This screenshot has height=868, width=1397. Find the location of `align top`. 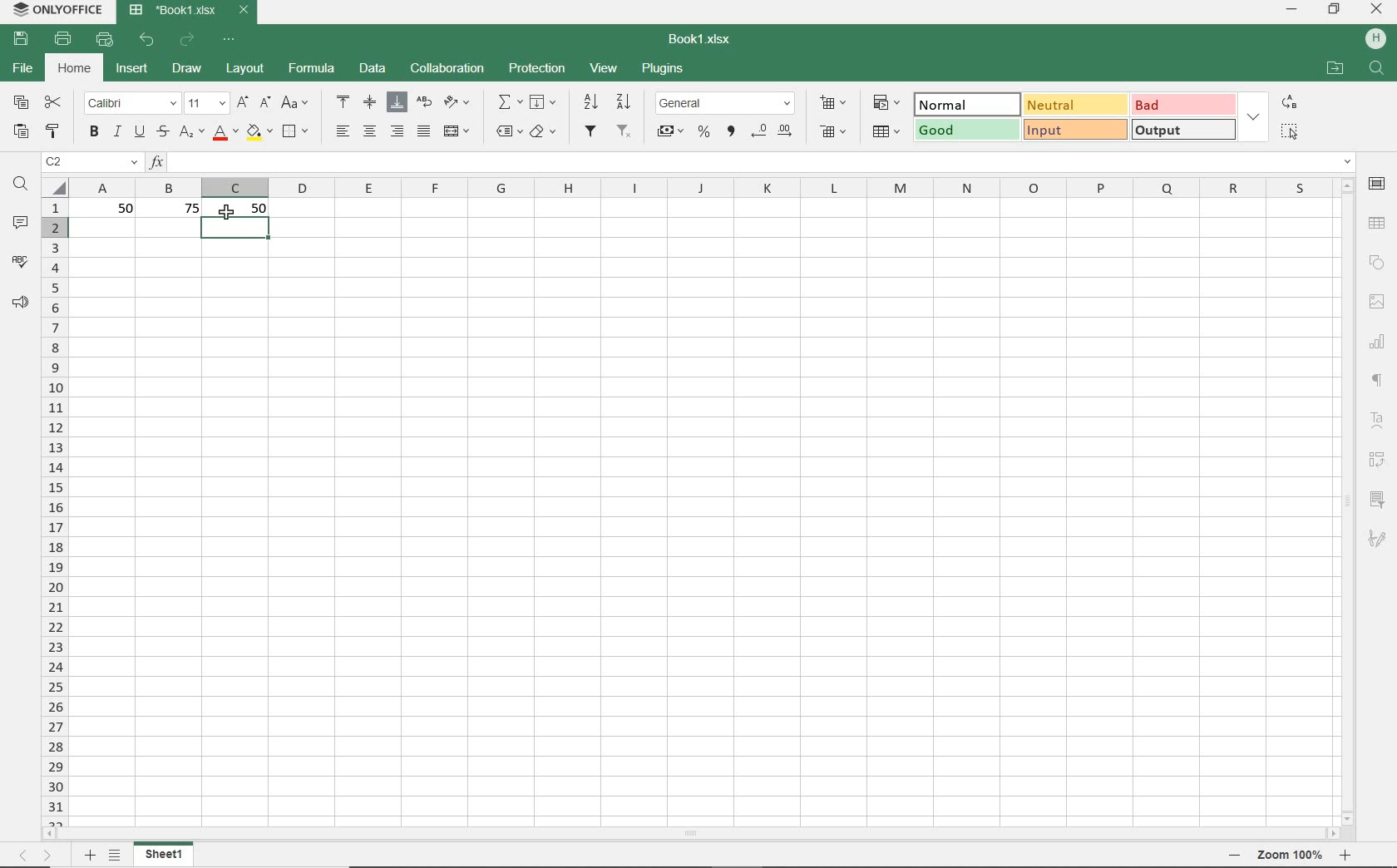

align top is located at coordinates (343, 100).